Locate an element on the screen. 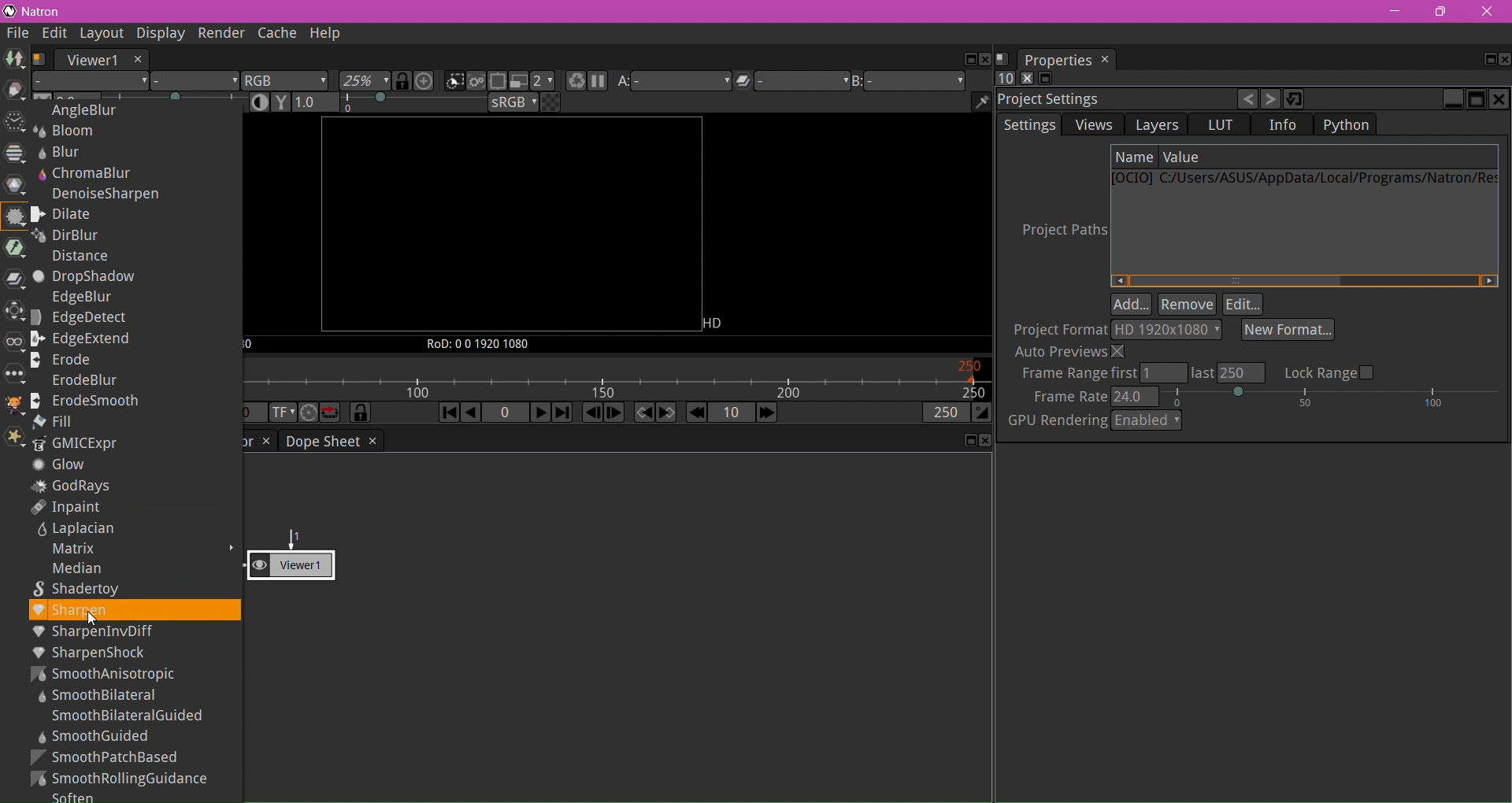 This screenshot has width=1512, height=803. Behavior to adopt when the playback hit the end of the range is located at coordinates (331, 413).